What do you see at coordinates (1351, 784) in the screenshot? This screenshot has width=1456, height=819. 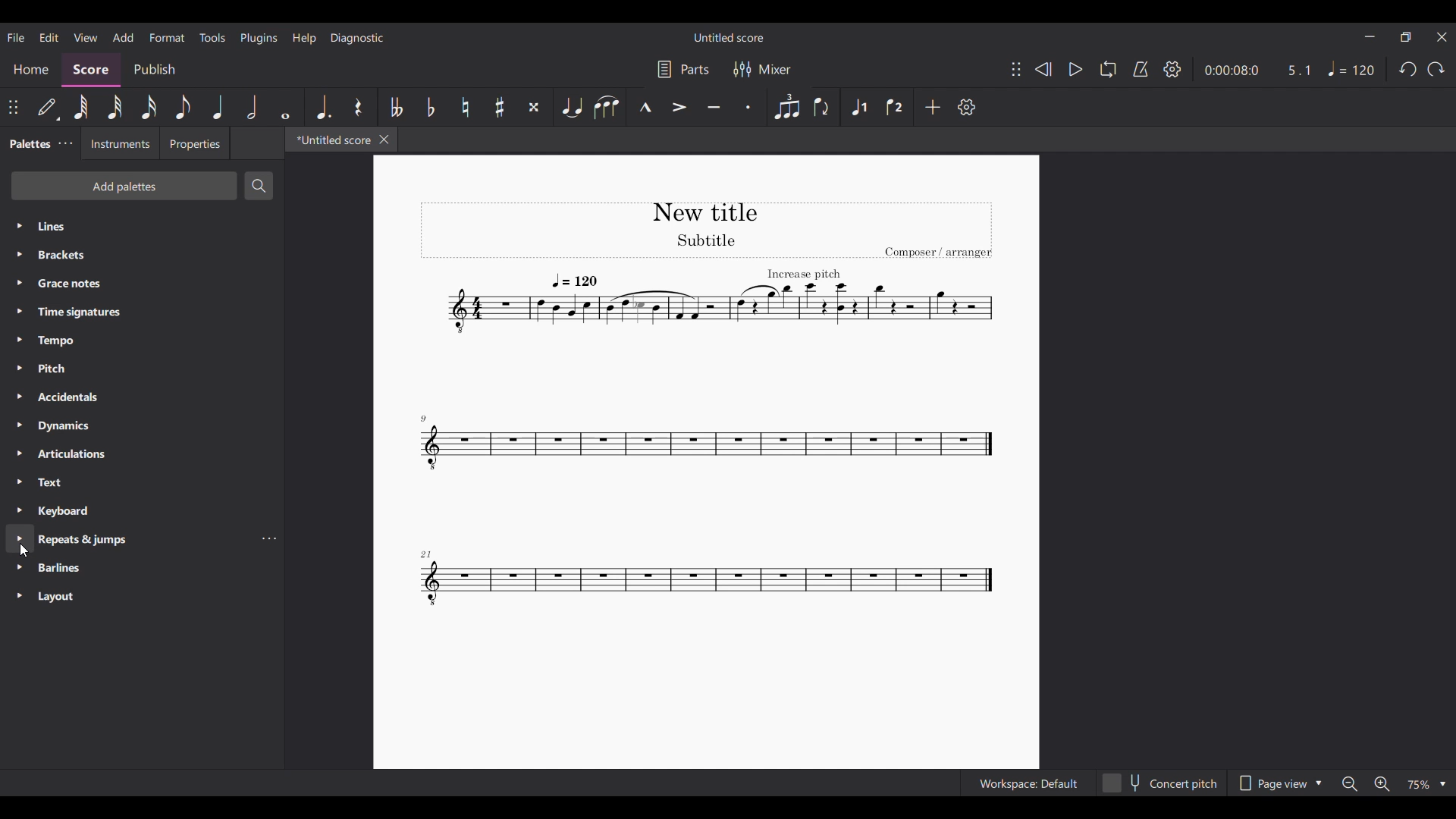 I see `Zoom out` at bounding box center [1351, 784].